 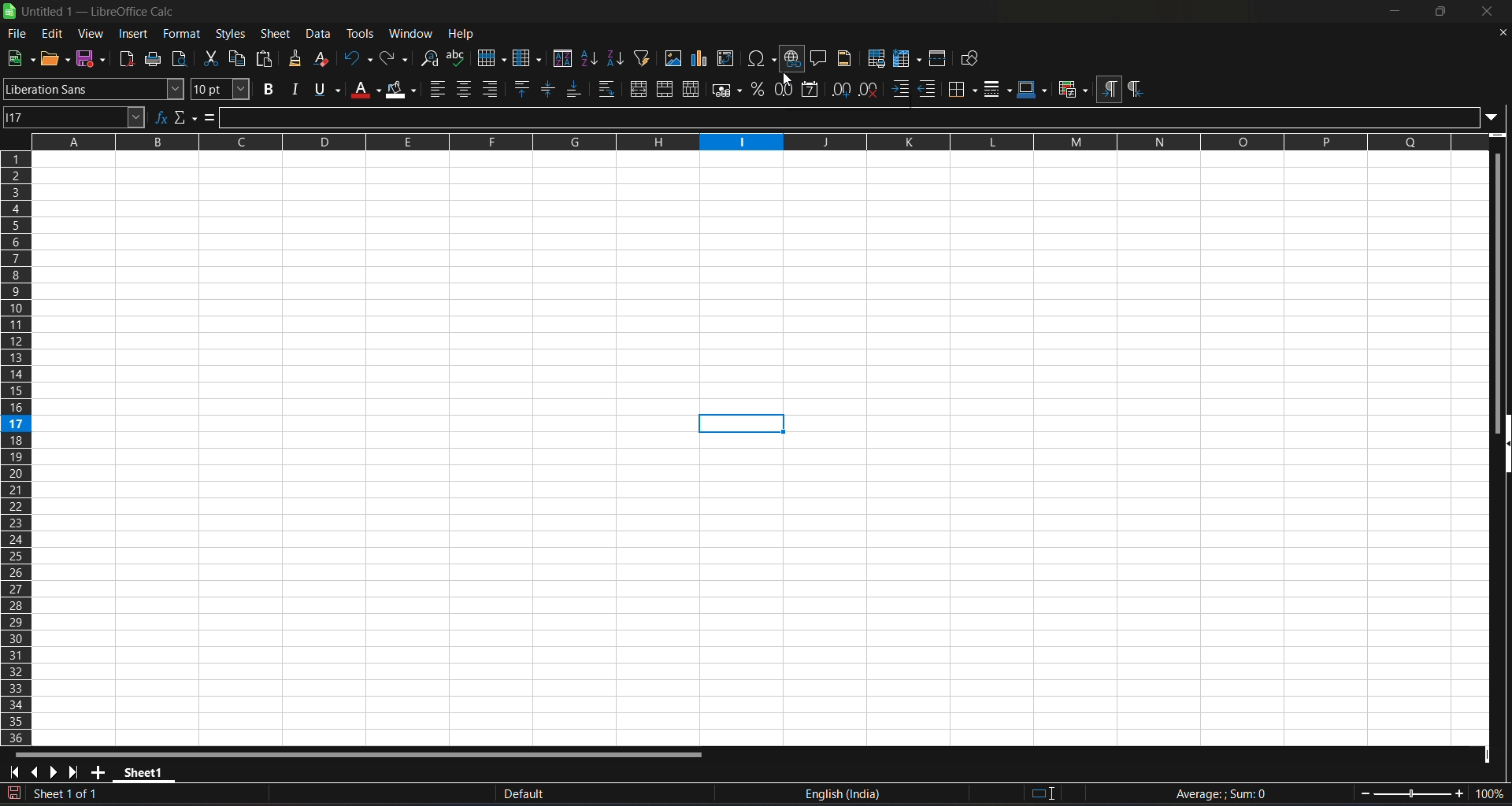 What do you see at coordinates (99, 12) in the screenshot?
I see `title` at bounding box center [99, 12].